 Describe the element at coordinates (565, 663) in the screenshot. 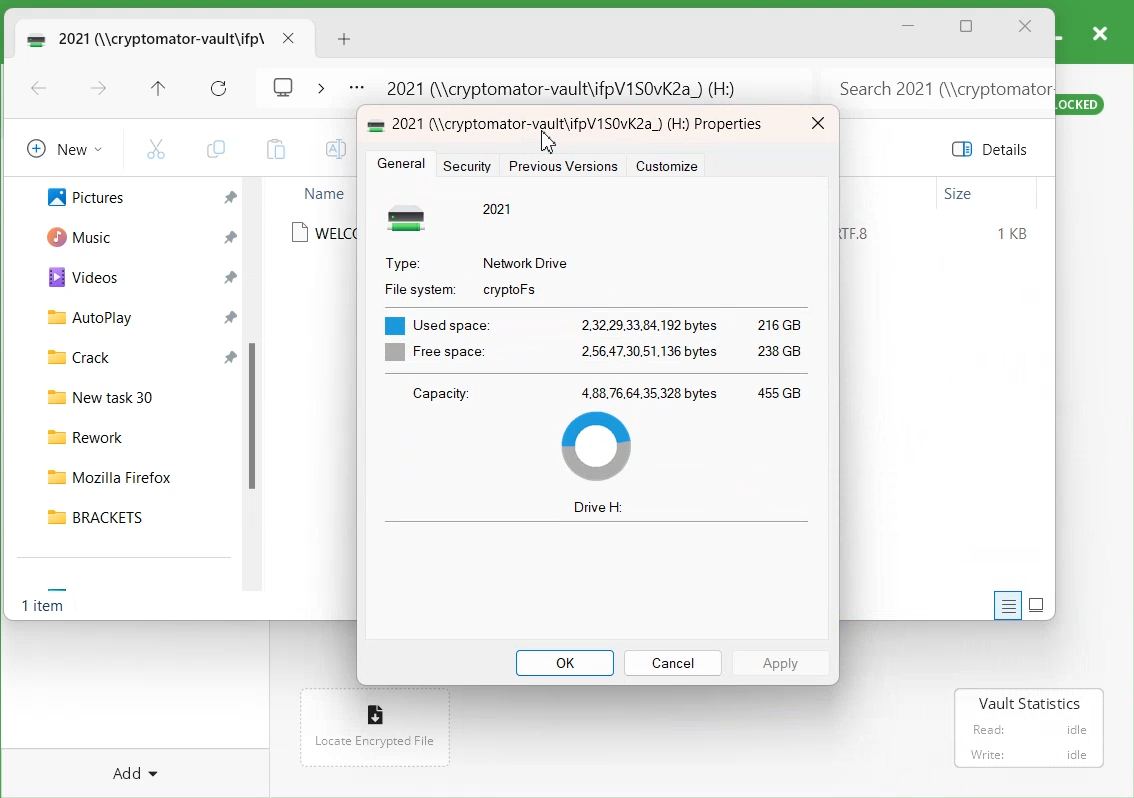

I see `OK` at that location.